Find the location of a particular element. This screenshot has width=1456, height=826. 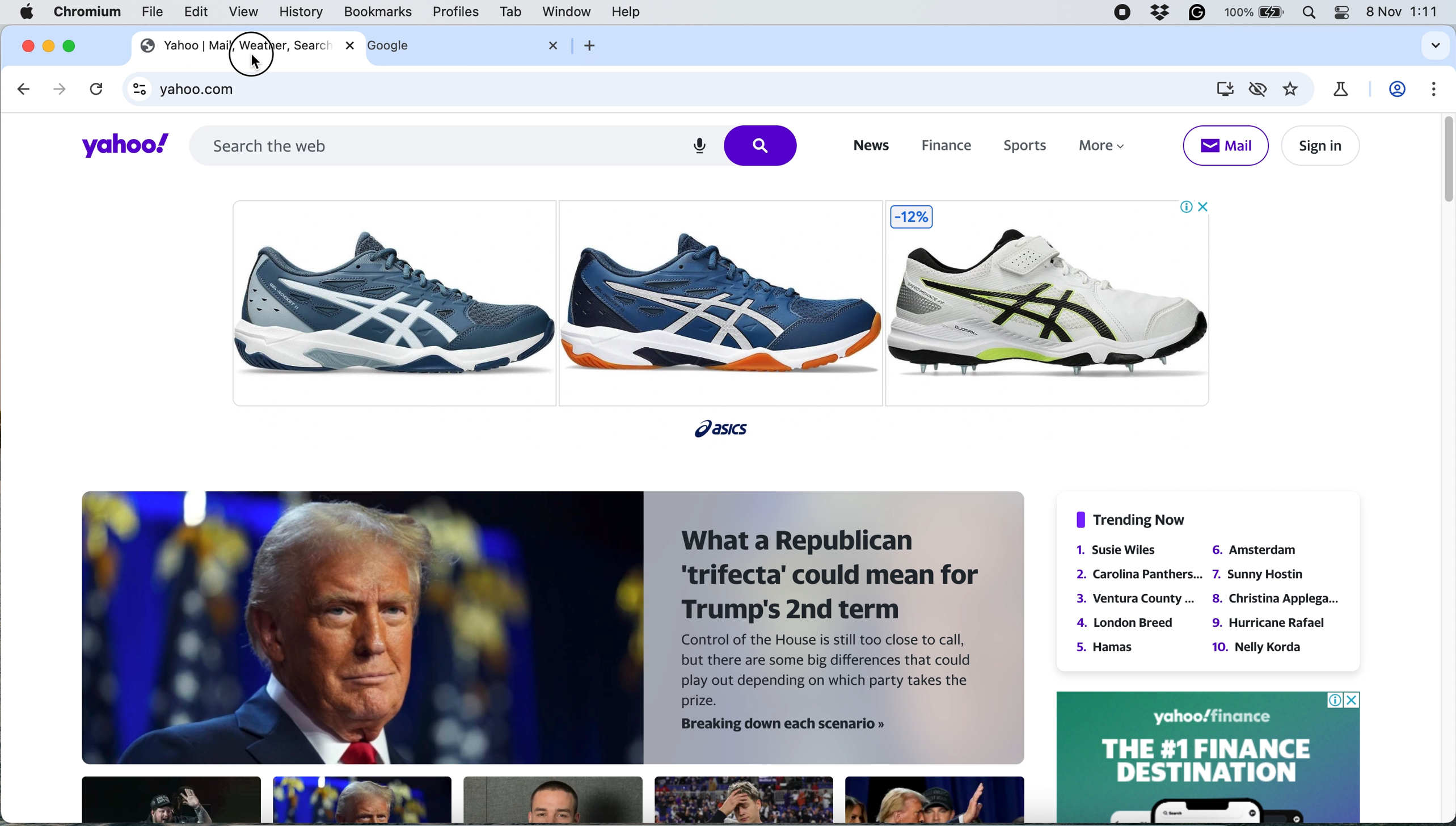

add new tab is located at coordinates (588, 45).